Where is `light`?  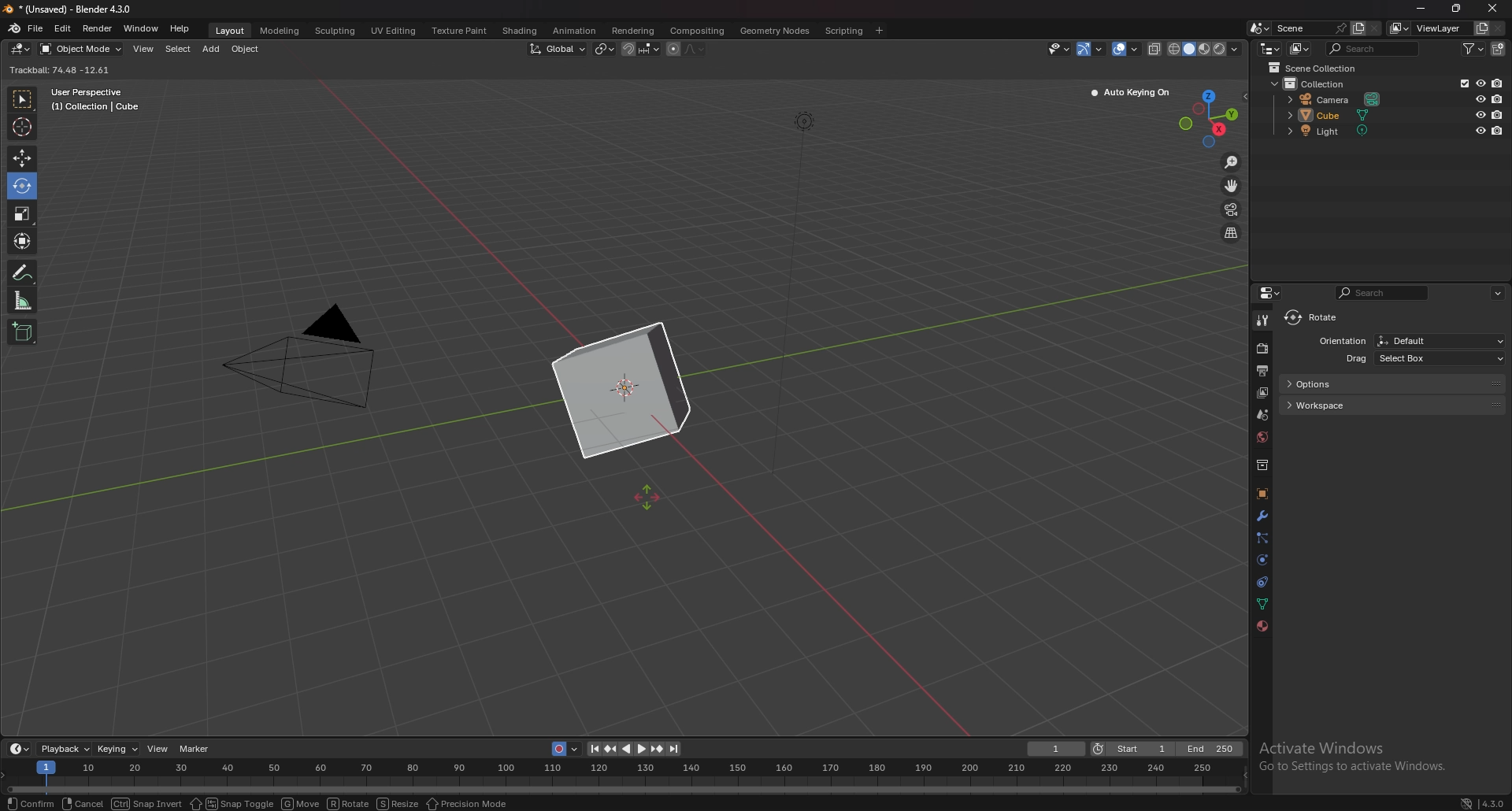
light is located at coordinates (1341, 131).